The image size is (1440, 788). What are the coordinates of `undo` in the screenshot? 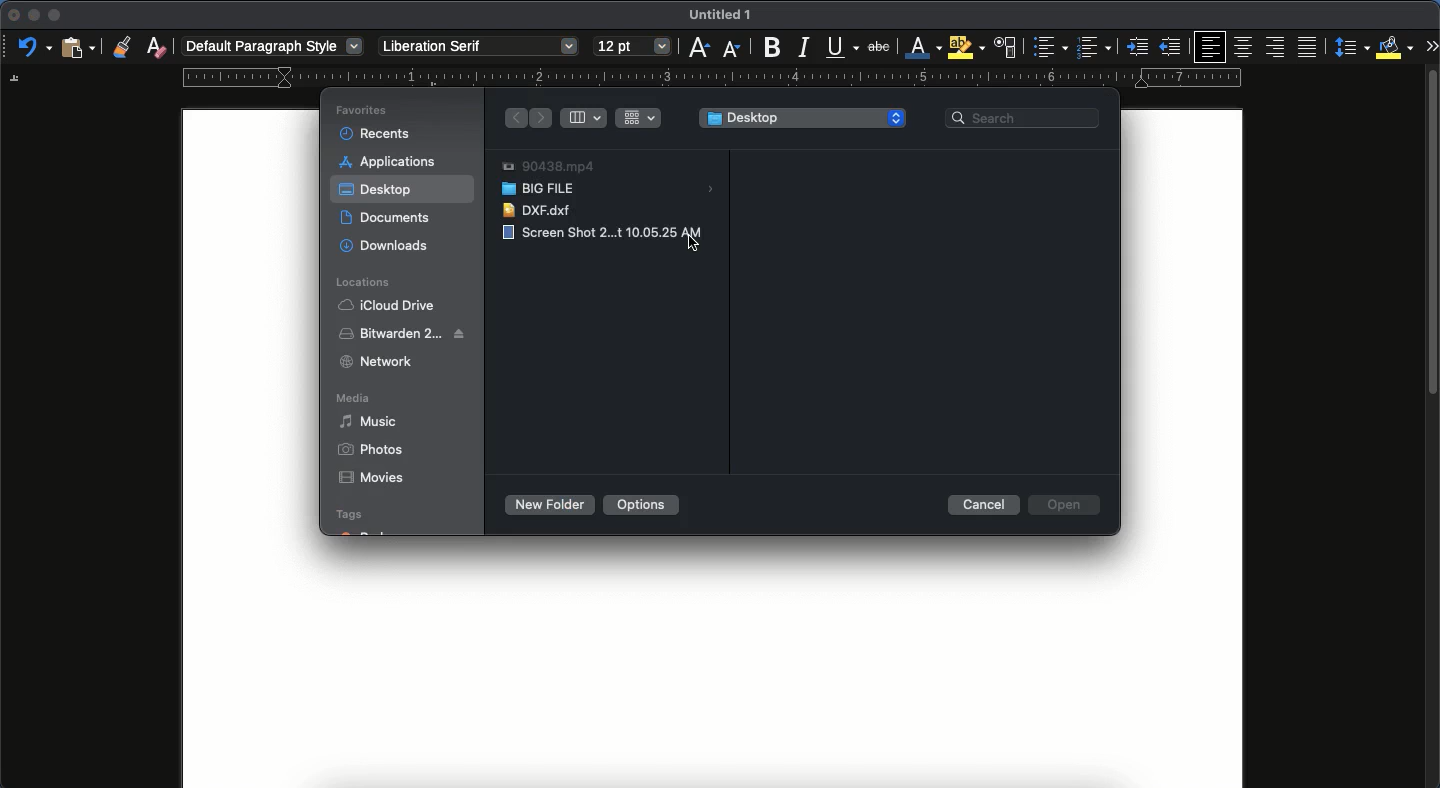 It's located at (35, 48).